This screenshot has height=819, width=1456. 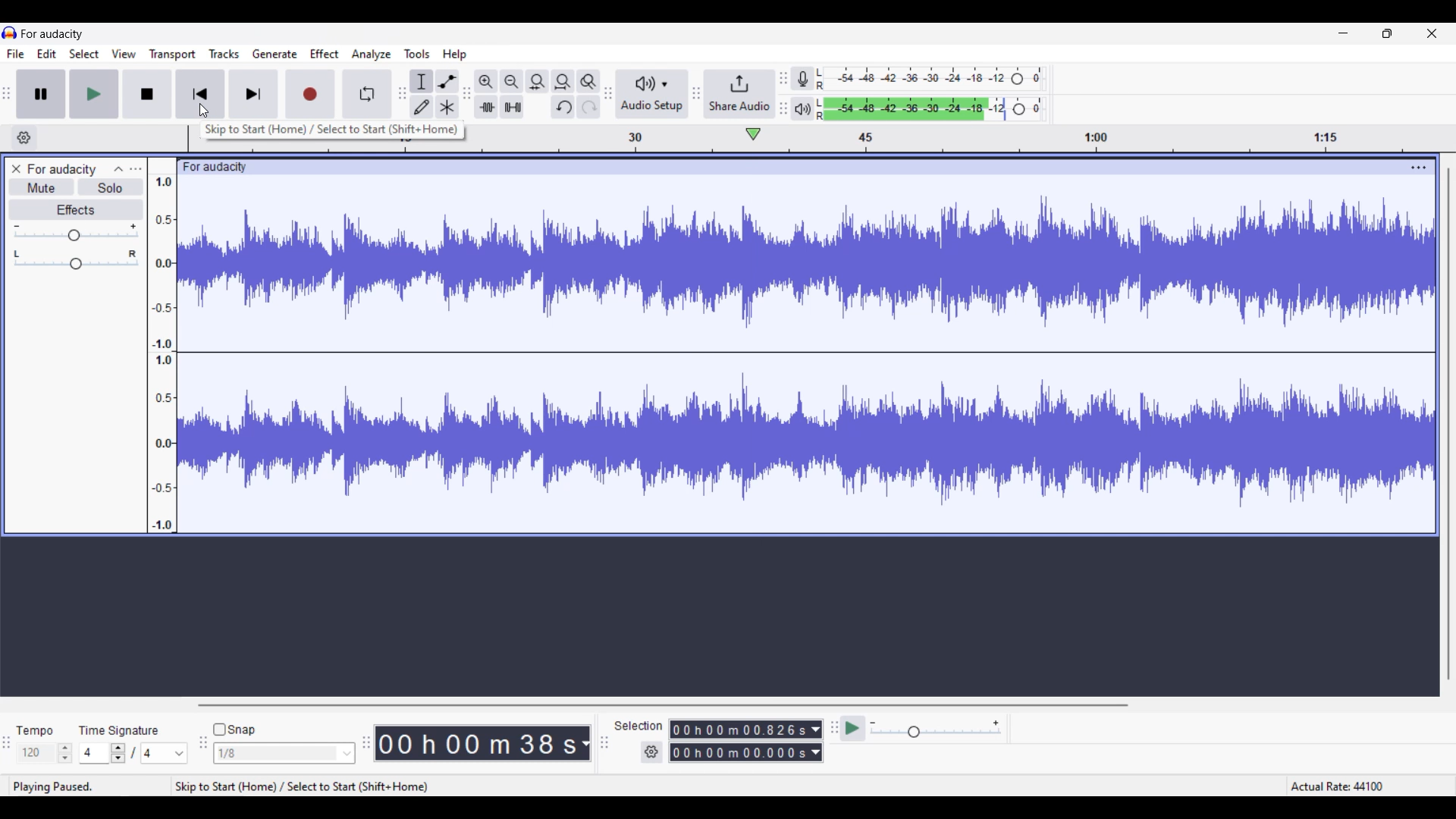 What do you see at coordinates (147, 94) in the screenshot?
I see `Stop` at bounding box center [147, 94].